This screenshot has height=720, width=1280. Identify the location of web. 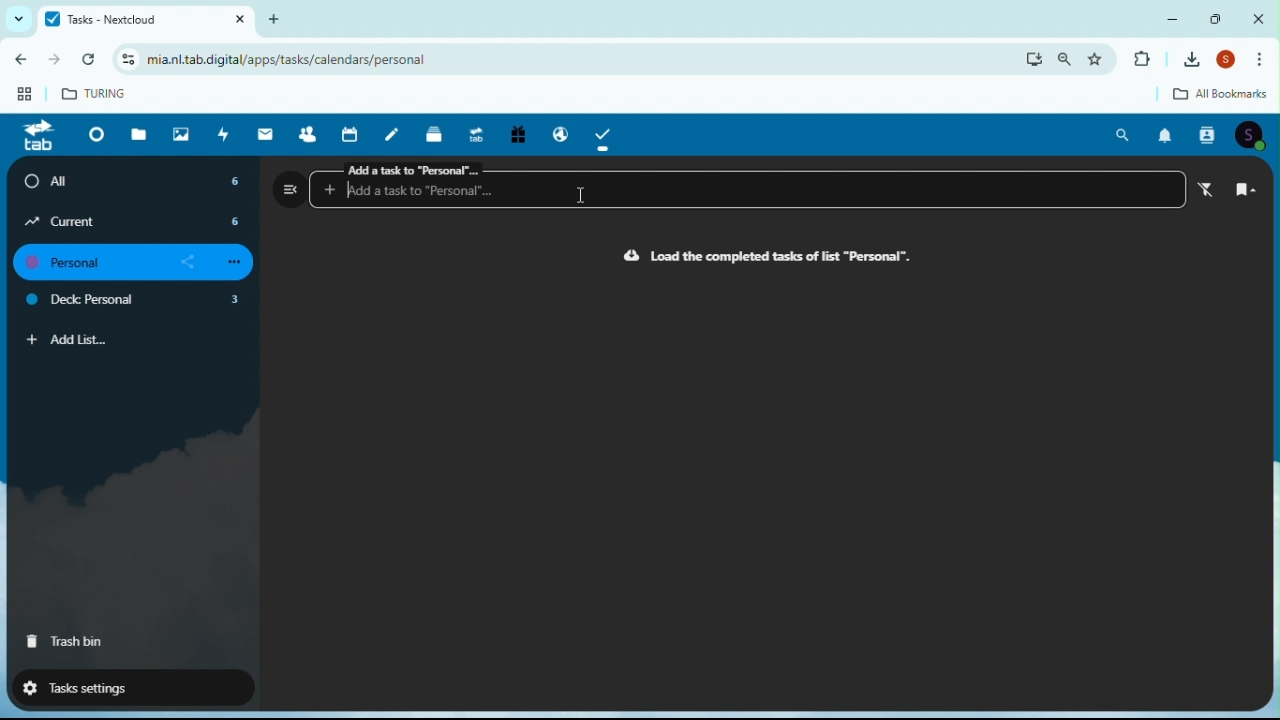
(21, 98).